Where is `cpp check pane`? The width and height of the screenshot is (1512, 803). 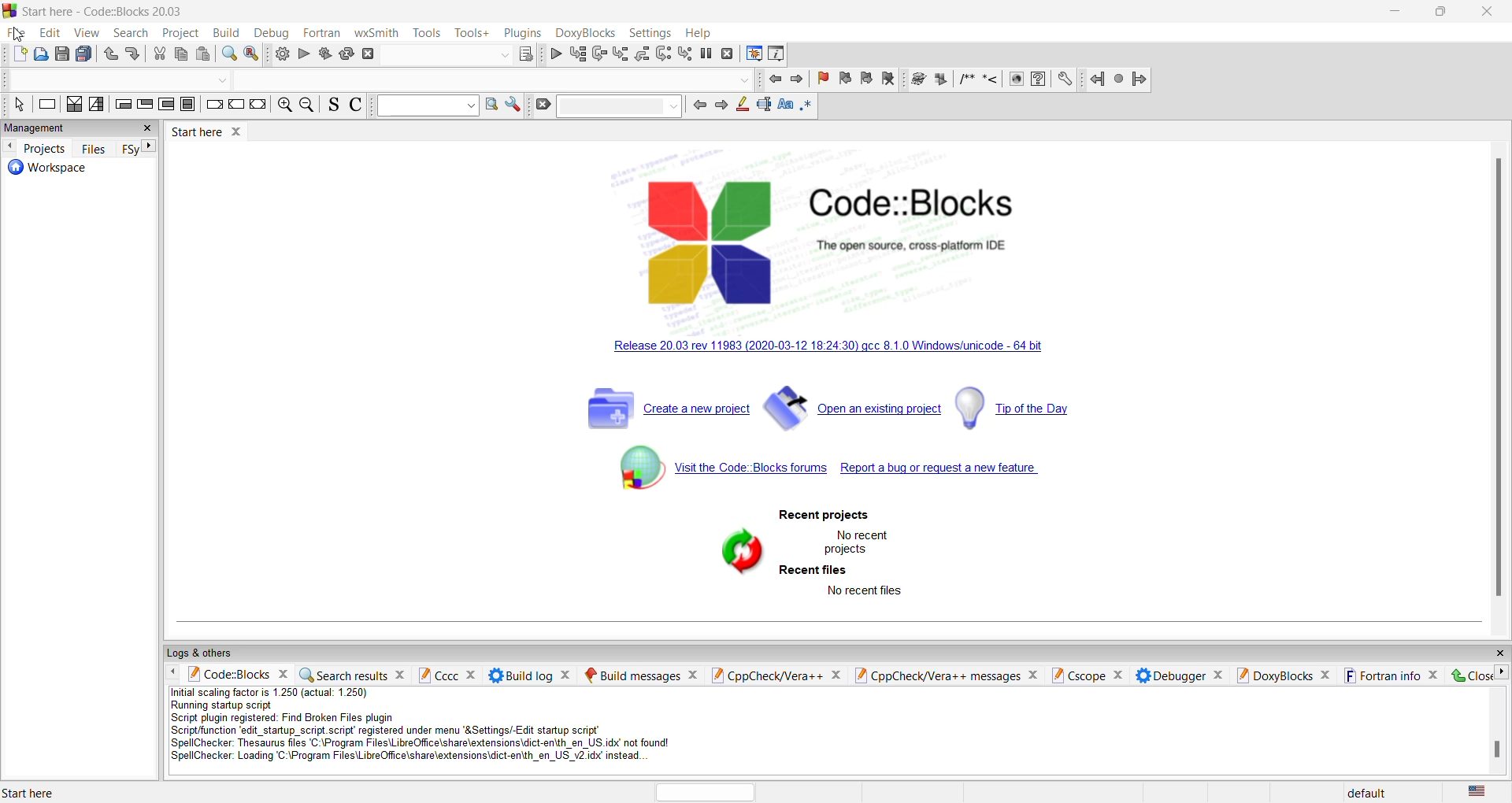
cpp check pane is located at coordinates (937, 677).